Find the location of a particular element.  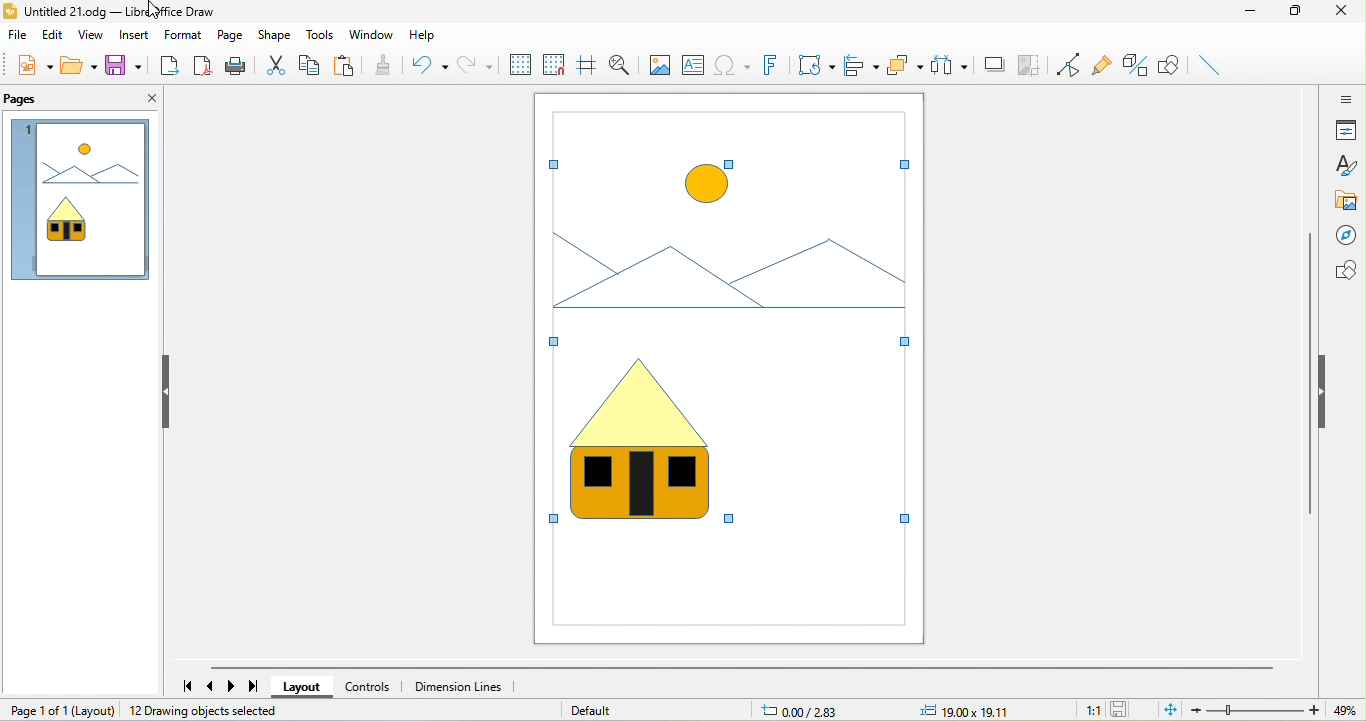

shape is located at coordinates (276, 35).